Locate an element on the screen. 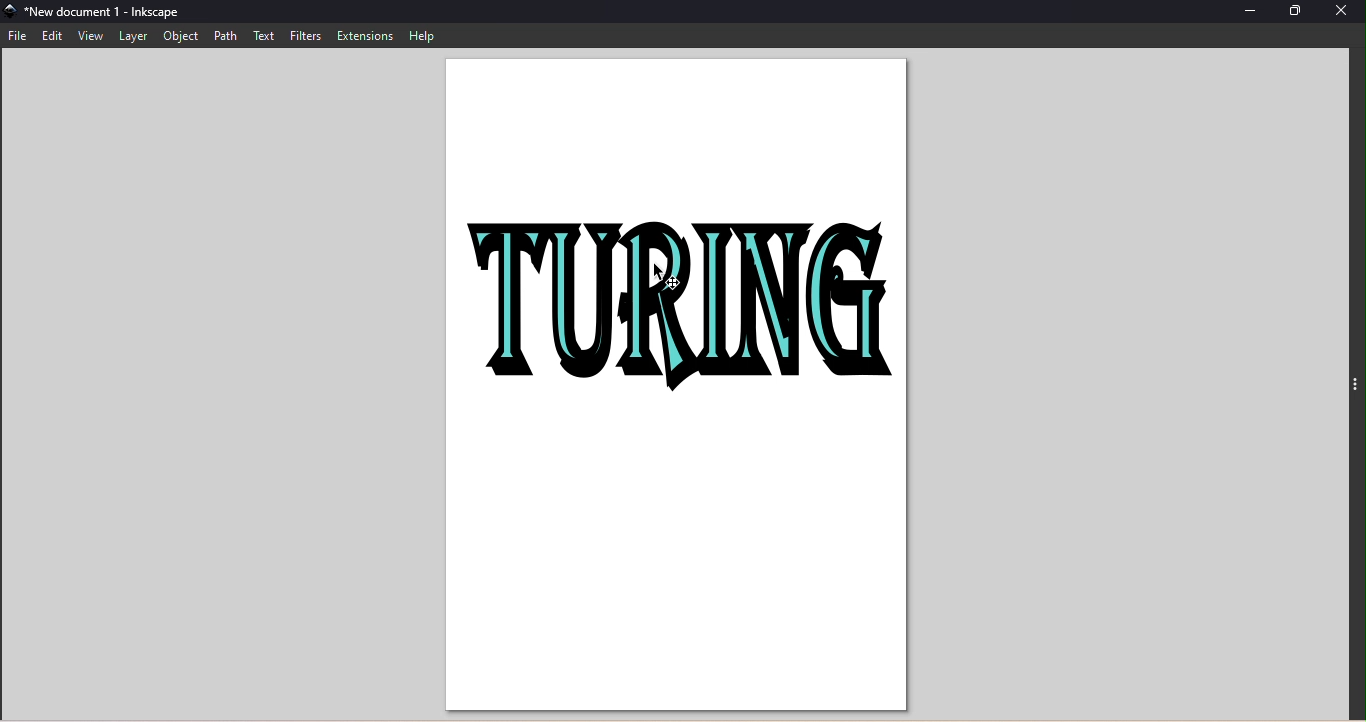 This screenshot has height=722, width=1366. Help is located at coordinates (423, 35).